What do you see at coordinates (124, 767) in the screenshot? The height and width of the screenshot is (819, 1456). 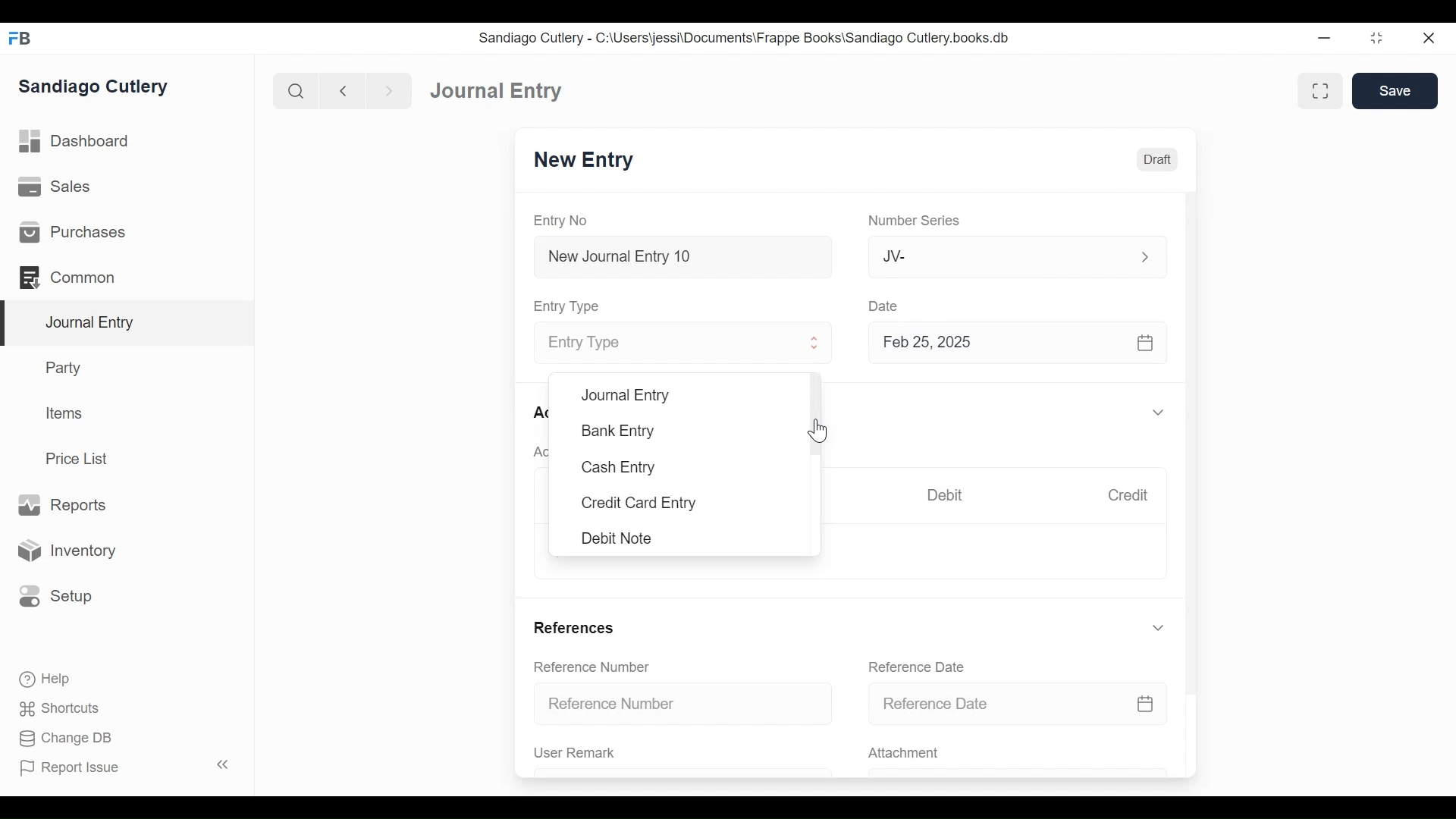 I see `Report Issue` at bounding box center [124, 767].